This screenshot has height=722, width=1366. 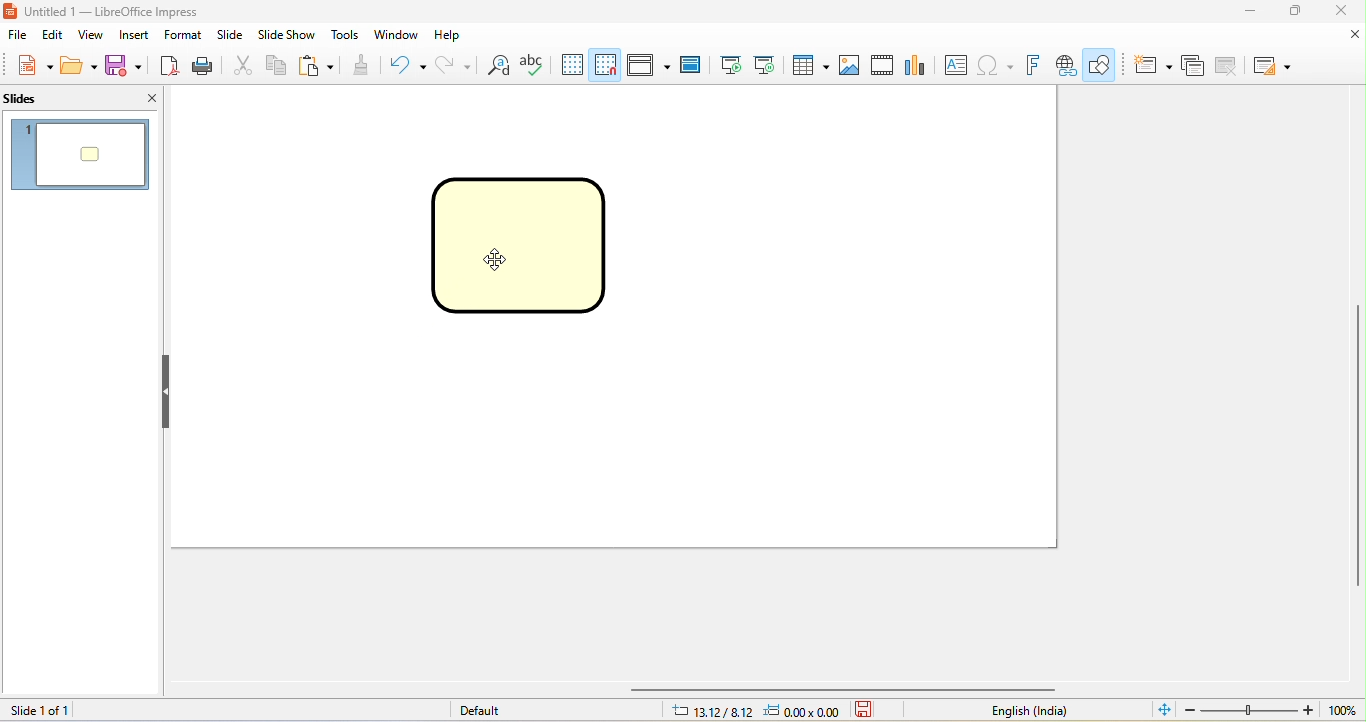 I want to click on hyperlink, so click(x=1066, y=65).